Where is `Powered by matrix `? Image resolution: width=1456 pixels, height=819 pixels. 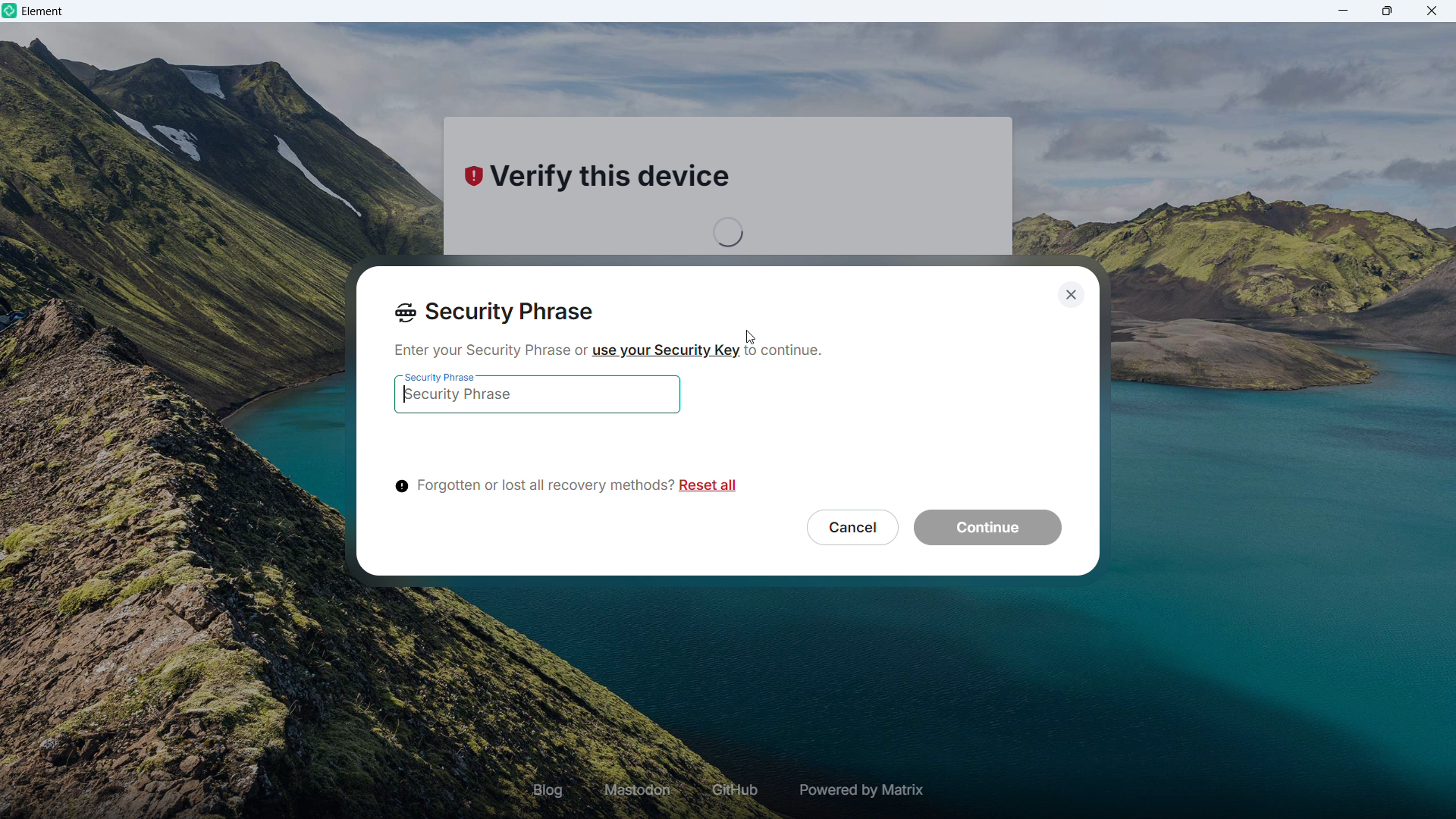
Powered by matrix  is located at coordinates (859, 790).